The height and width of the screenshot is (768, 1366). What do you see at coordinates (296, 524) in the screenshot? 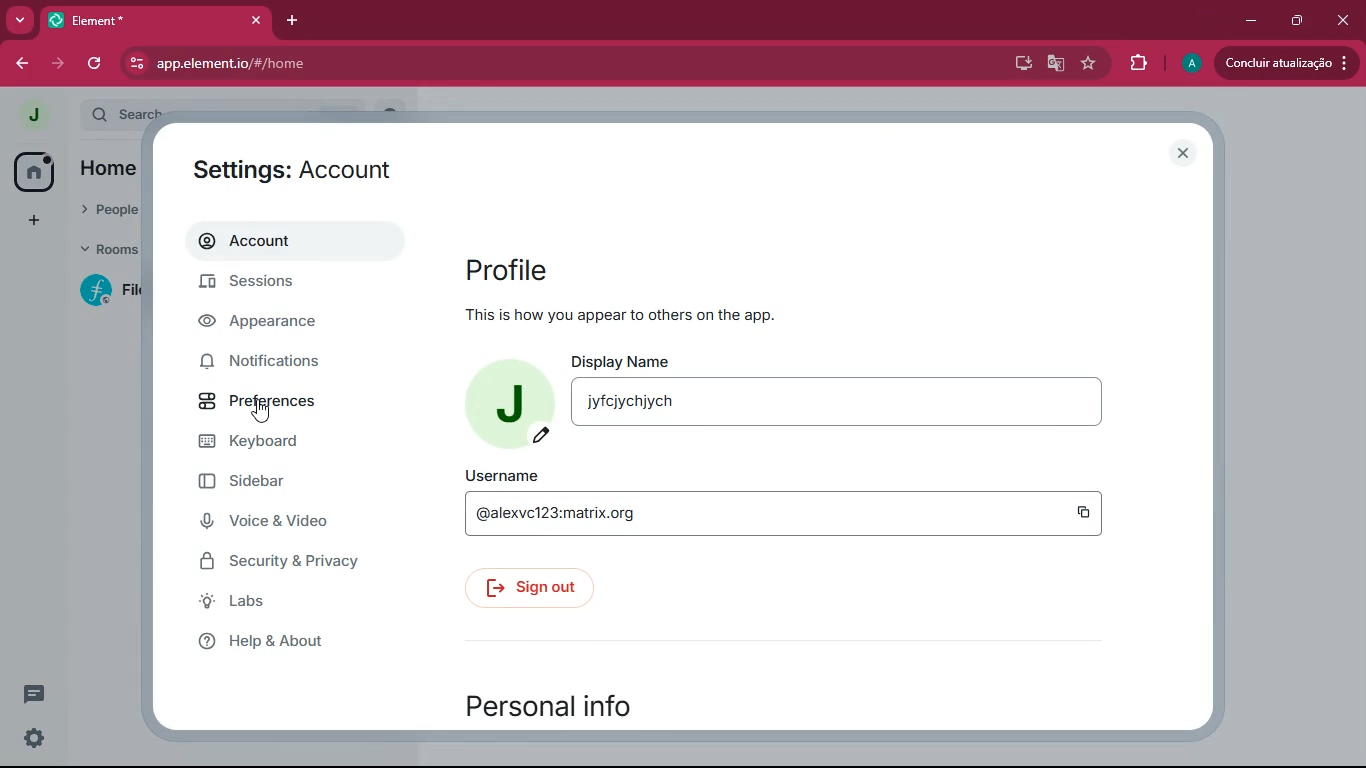
I see `voice & video` at bounding box center [296, 524].